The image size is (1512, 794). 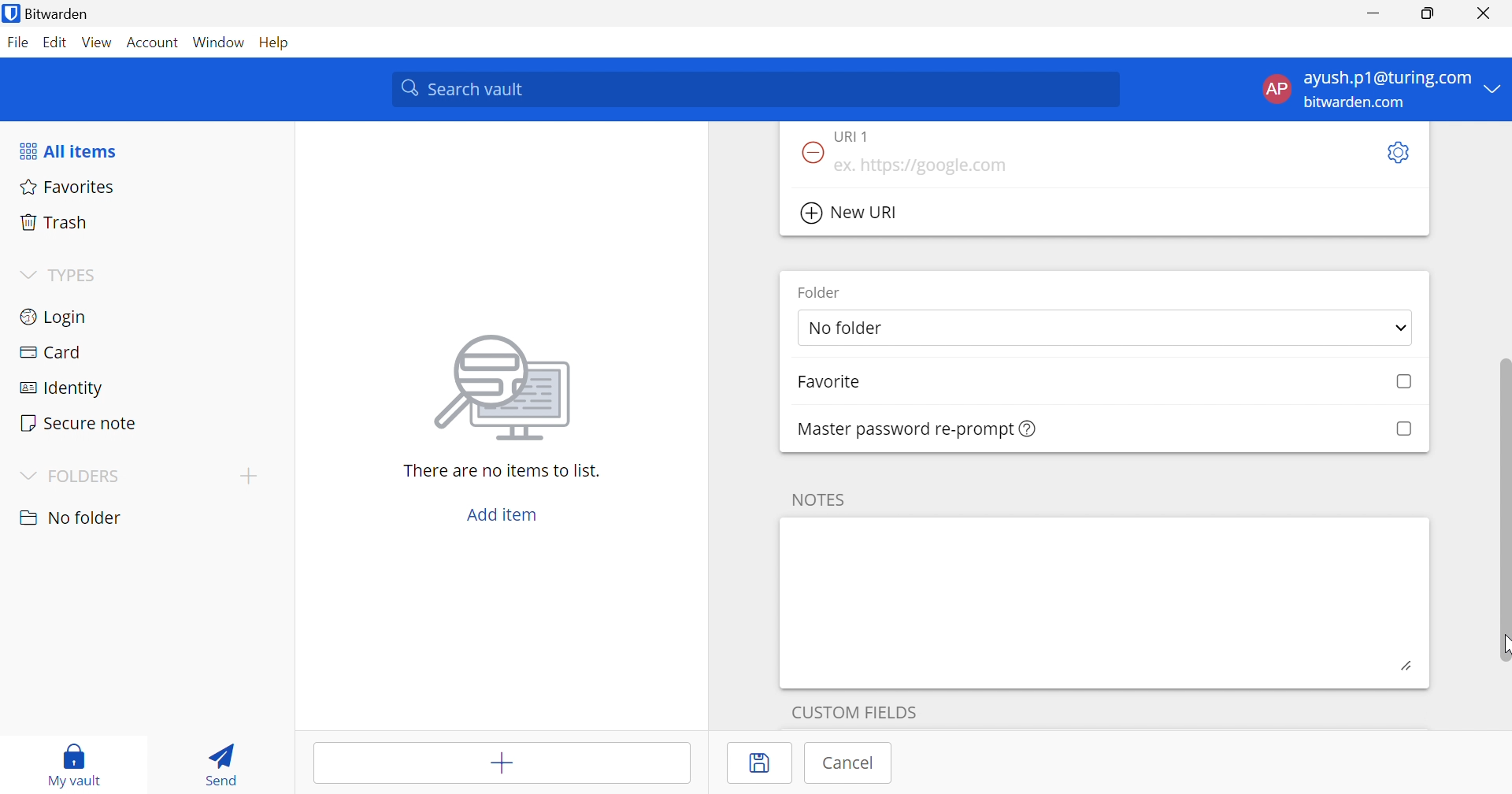 What do you see at coordinates (75, 757) in the screenshot?
I see `My vault` at bounding box center [75, 757].